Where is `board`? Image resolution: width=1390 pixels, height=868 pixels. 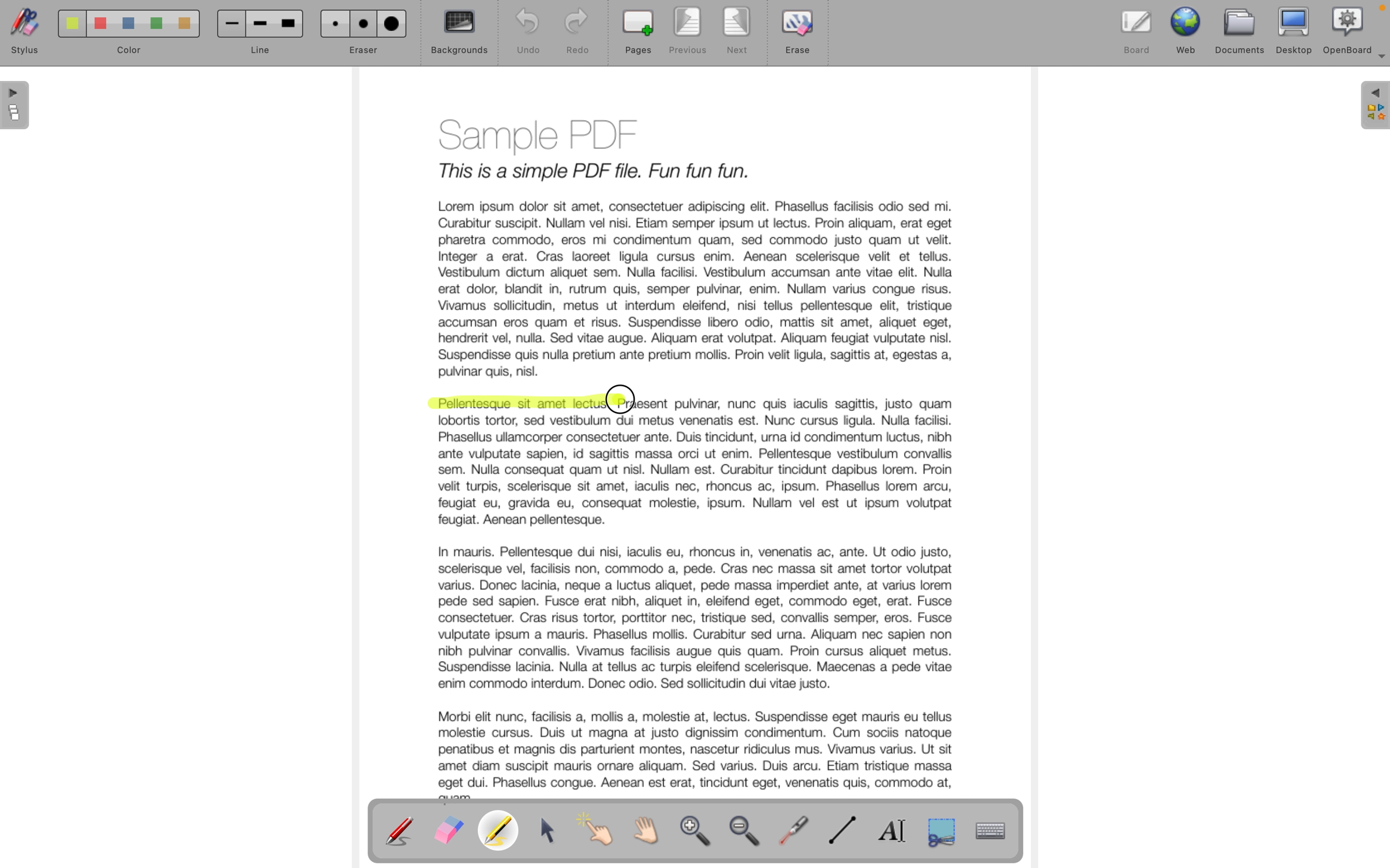 board is located at coordinates (1137, 29).